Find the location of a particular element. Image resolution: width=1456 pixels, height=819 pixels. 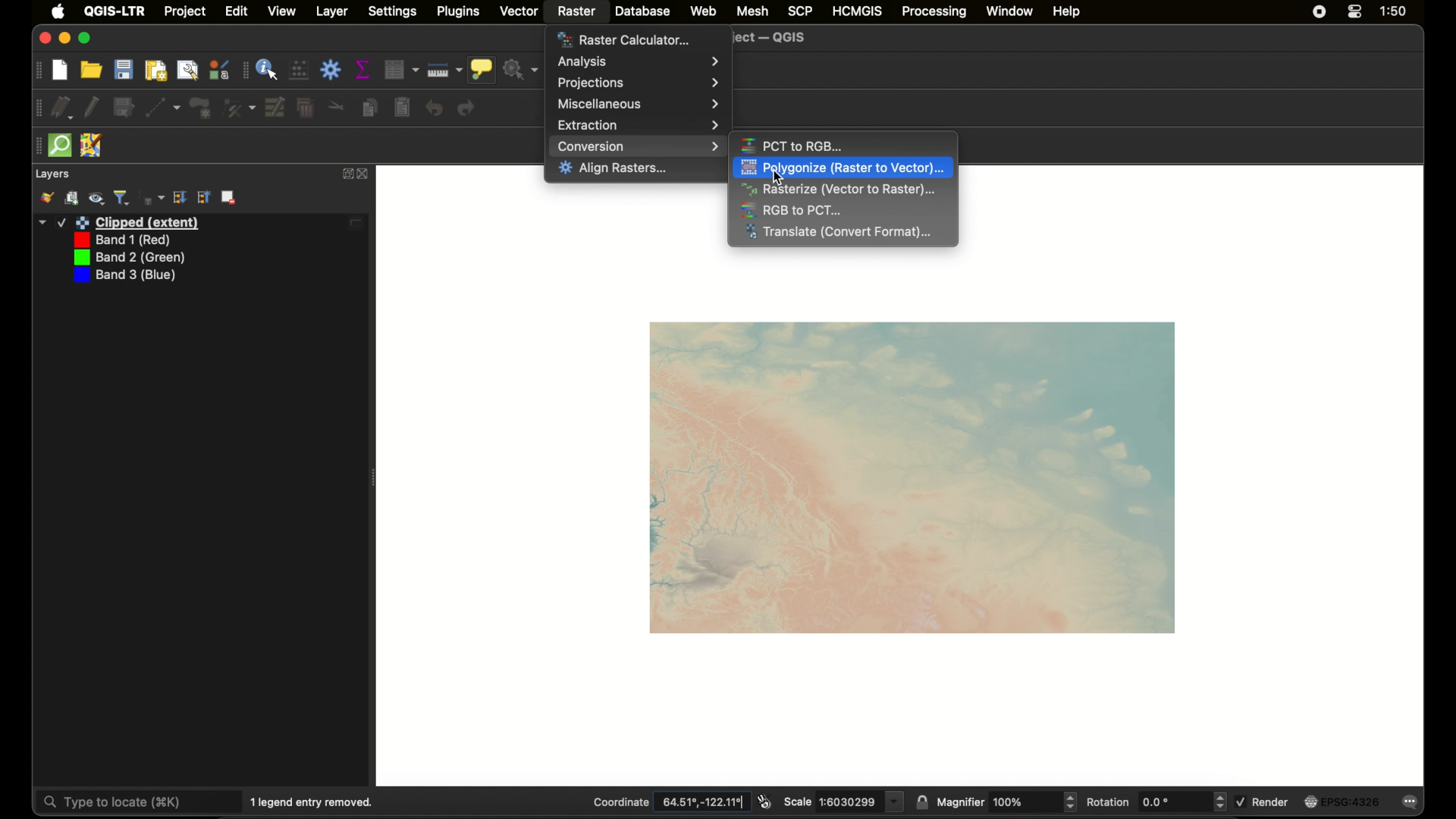

database is located at coordinates (642, 11).